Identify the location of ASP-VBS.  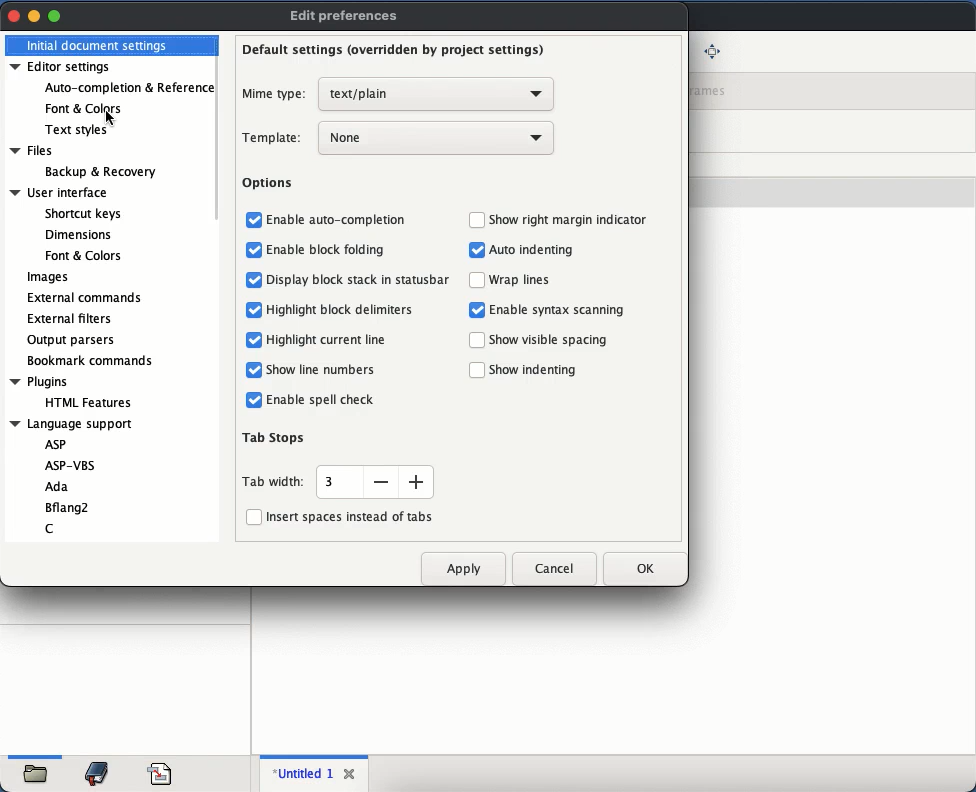
(71, 463).